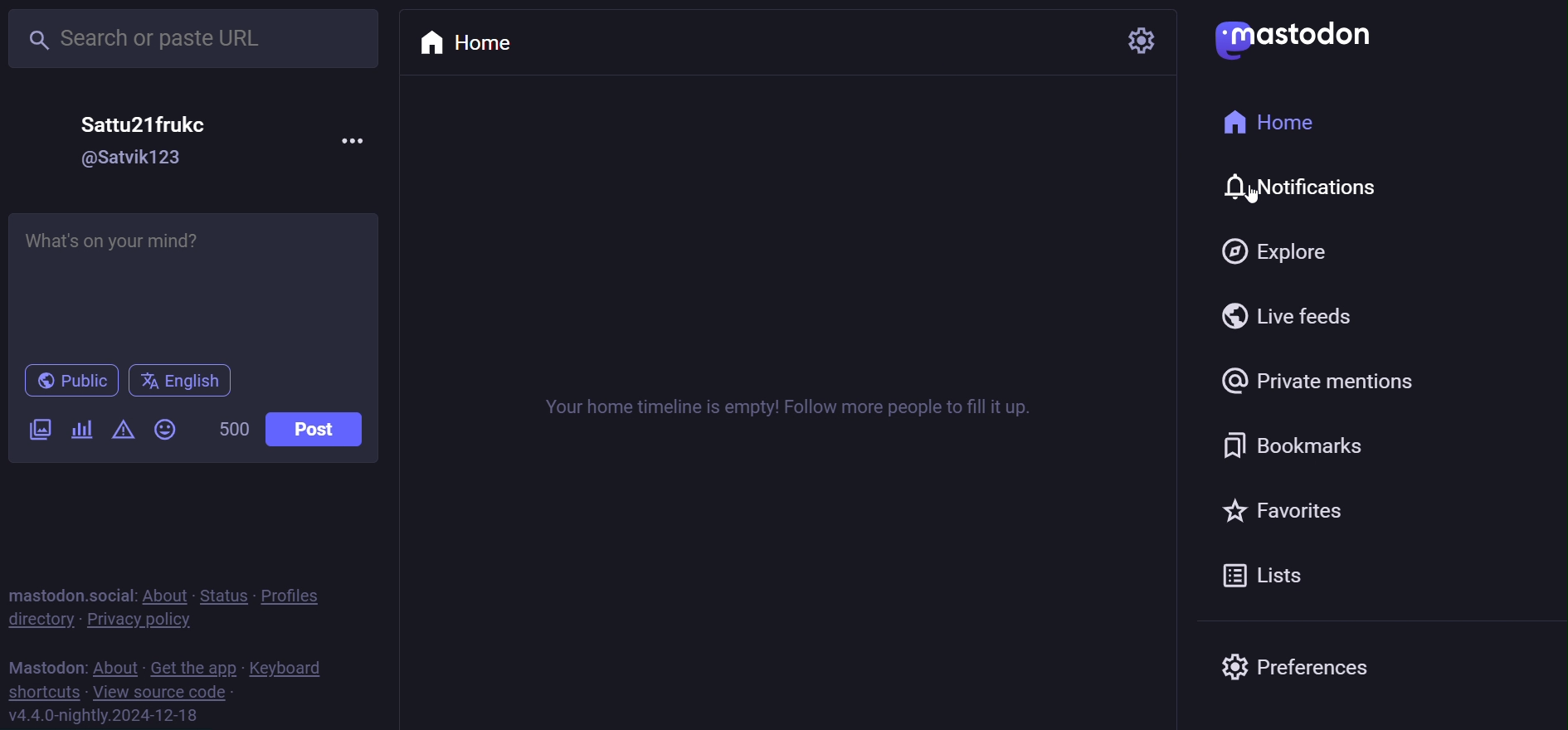 The height and width of the screenshot is (730, 1568). I want to click on privacy policy, so click(148, 619).